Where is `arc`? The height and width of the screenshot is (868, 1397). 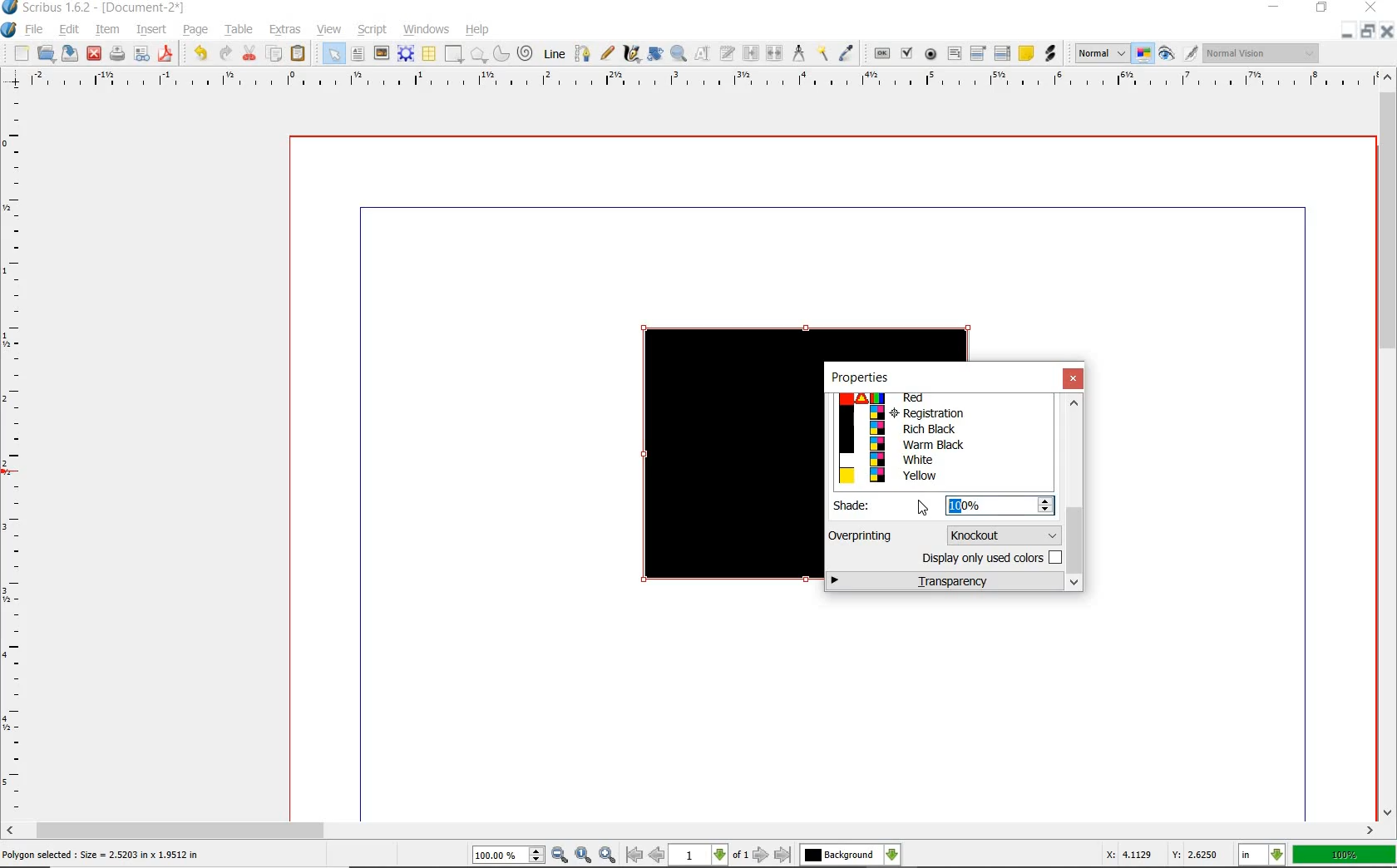
arc is located at coordinates (501, 55).